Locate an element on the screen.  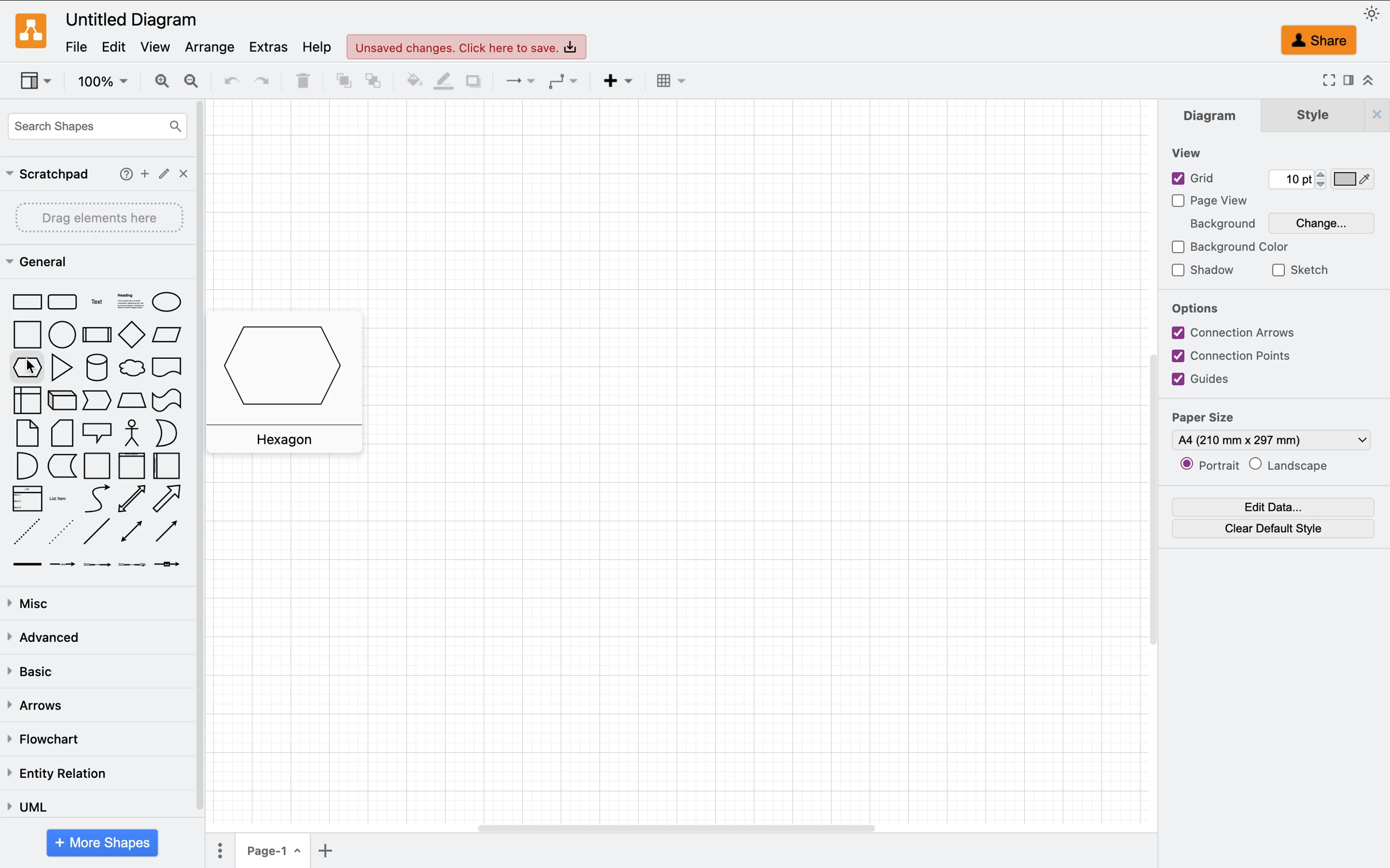
collapse is located at coordinates (1368, 80).